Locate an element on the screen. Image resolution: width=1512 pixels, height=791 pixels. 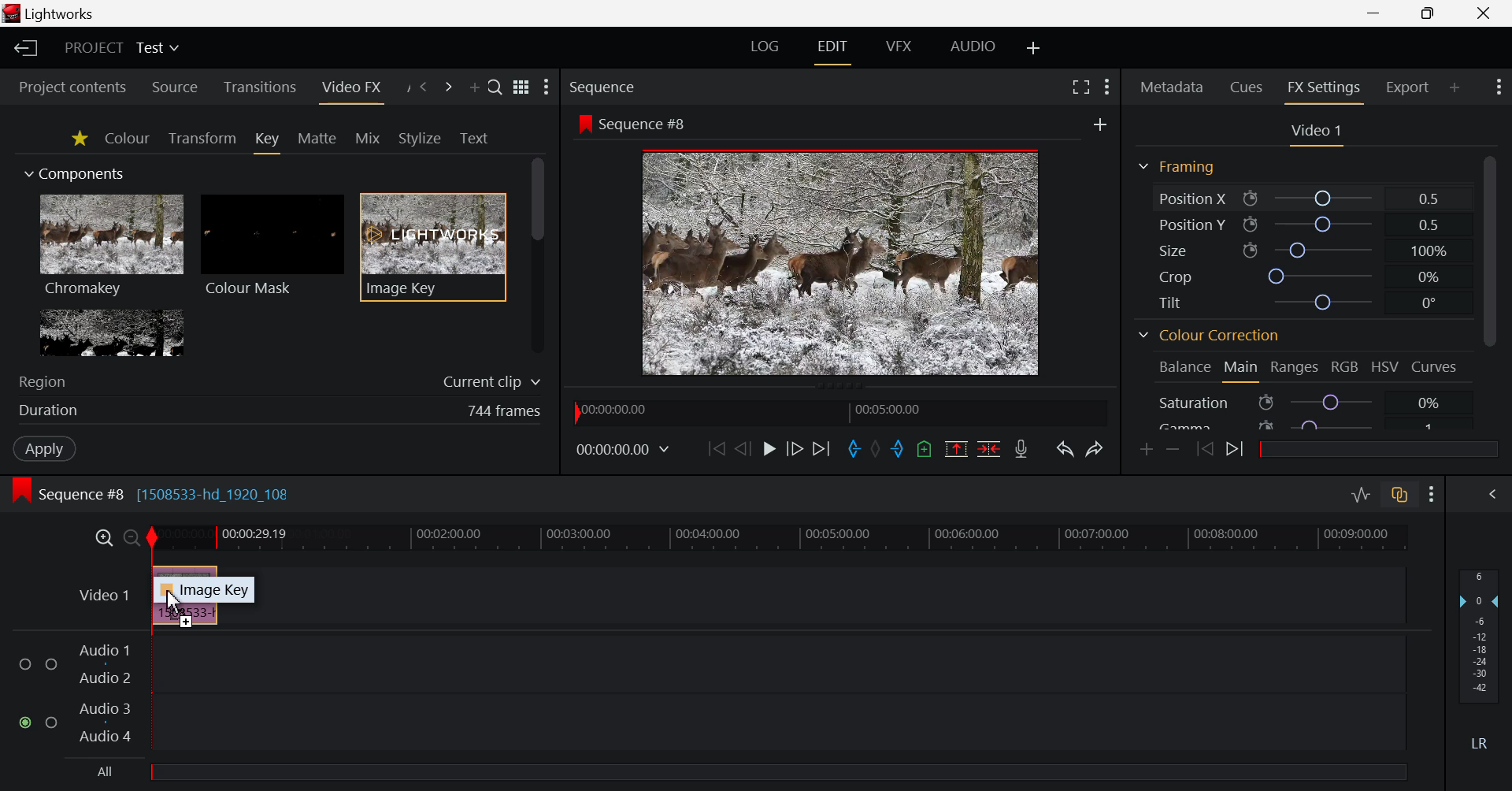
Audio Input Field is located at coordinates (775, 691).